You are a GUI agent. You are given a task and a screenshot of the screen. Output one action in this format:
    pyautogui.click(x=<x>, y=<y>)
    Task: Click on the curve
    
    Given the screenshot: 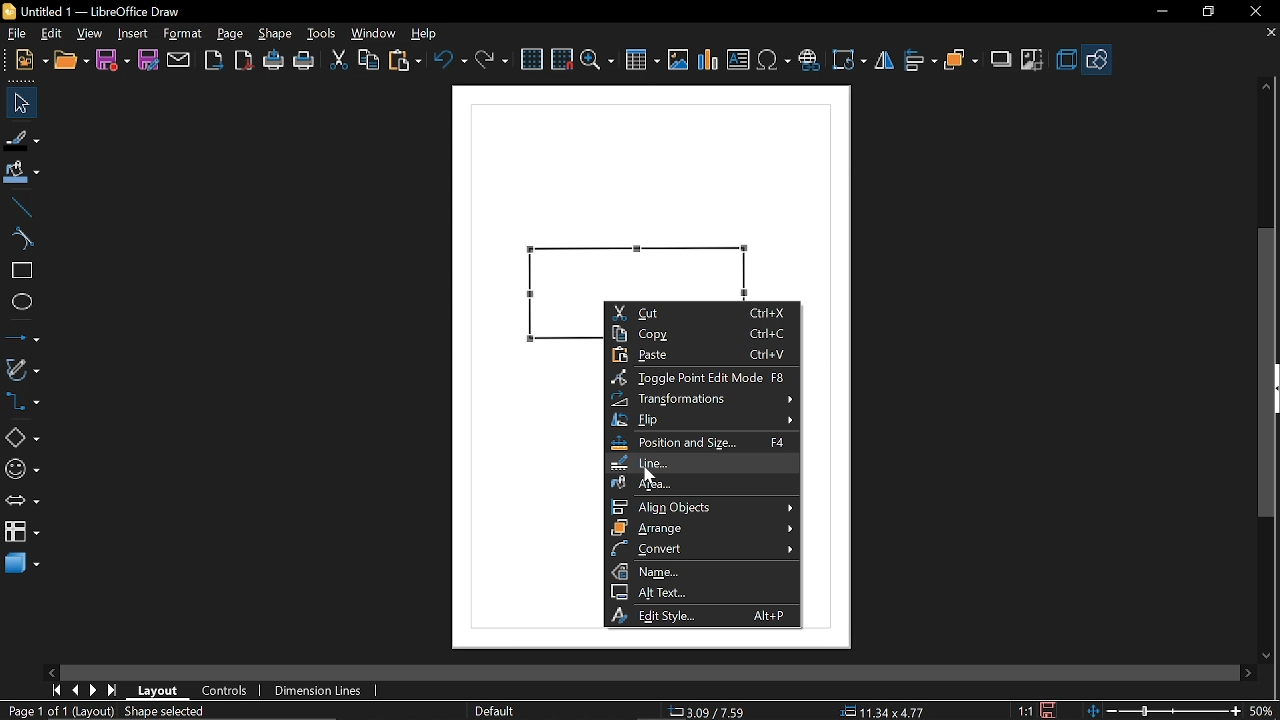 What is the action you would take?
    pyautogui.click(x=20, y=238)
    